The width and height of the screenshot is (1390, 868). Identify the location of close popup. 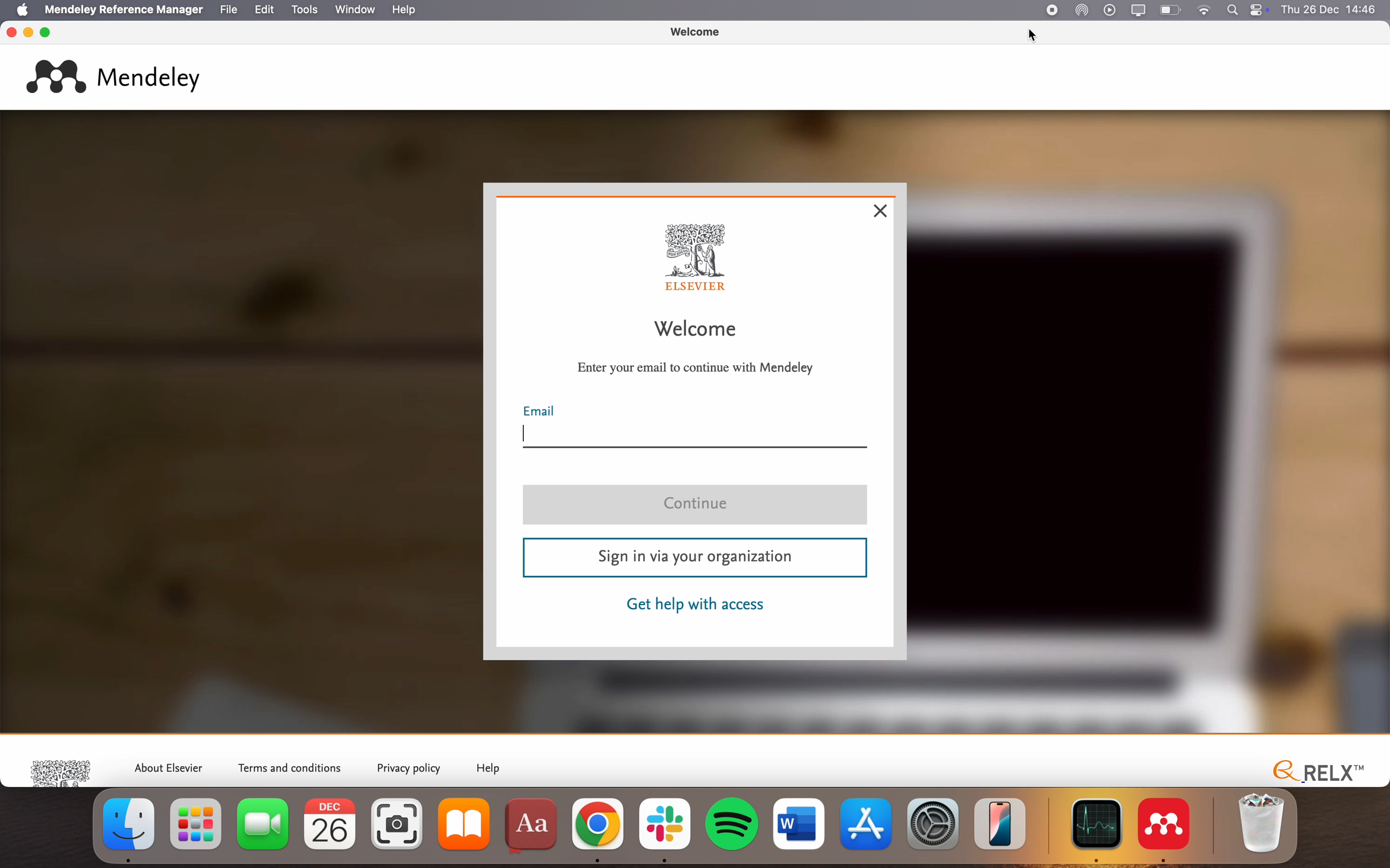
(883, 212).